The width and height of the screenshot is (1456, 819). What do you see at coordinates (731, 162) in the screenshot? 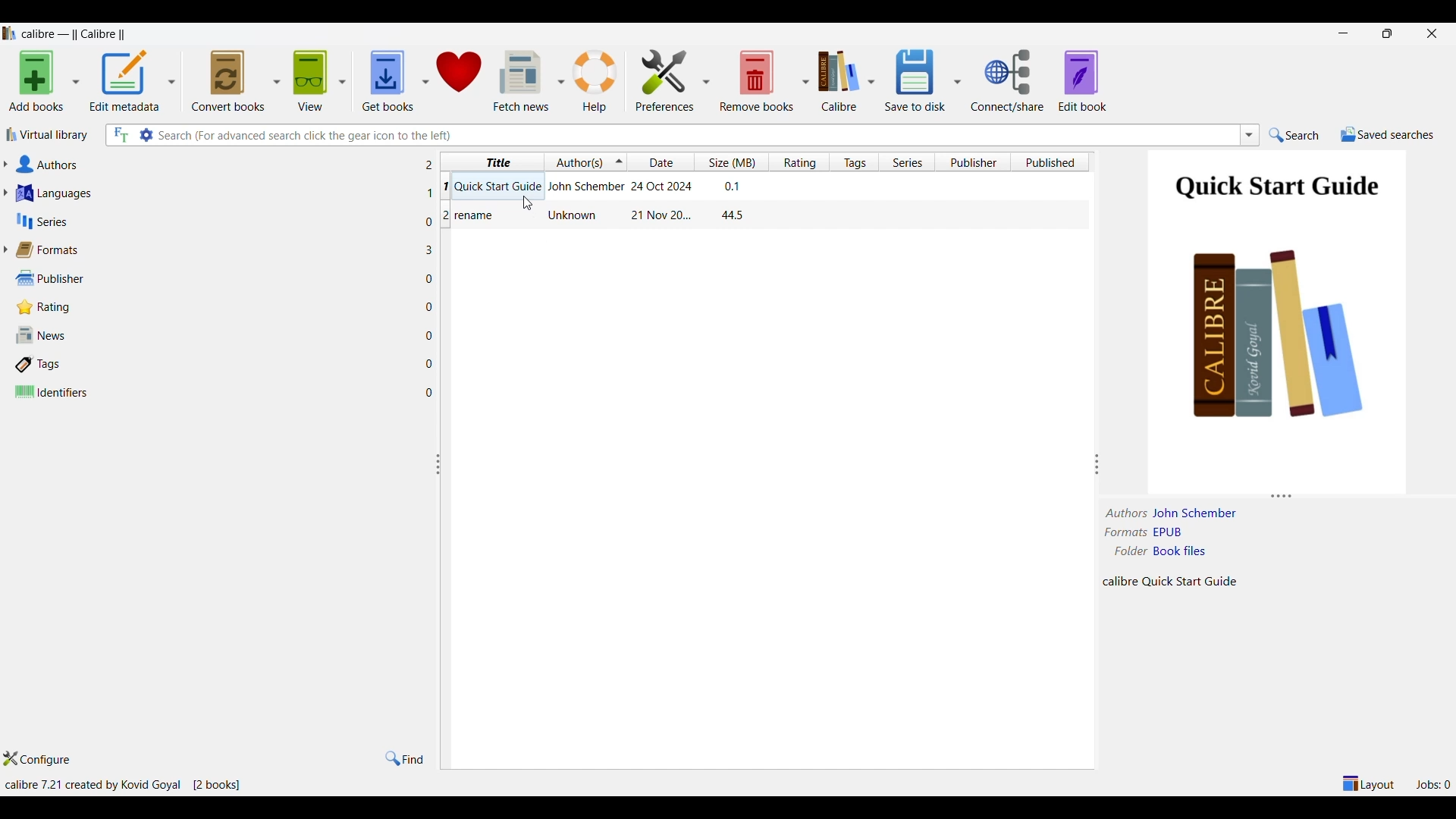
I see `Size column` at bounding box center [731, 162].